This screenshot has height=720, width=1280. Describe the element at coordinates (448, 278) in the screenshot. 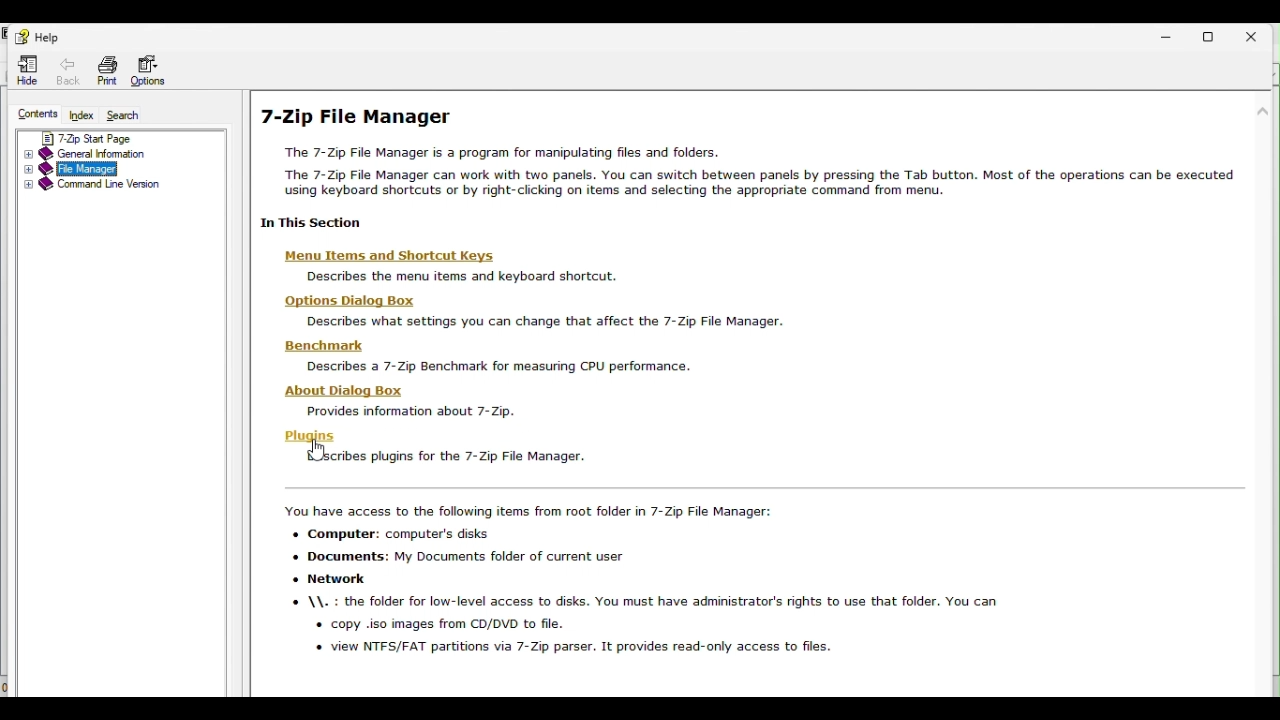

I see `text` at that location.